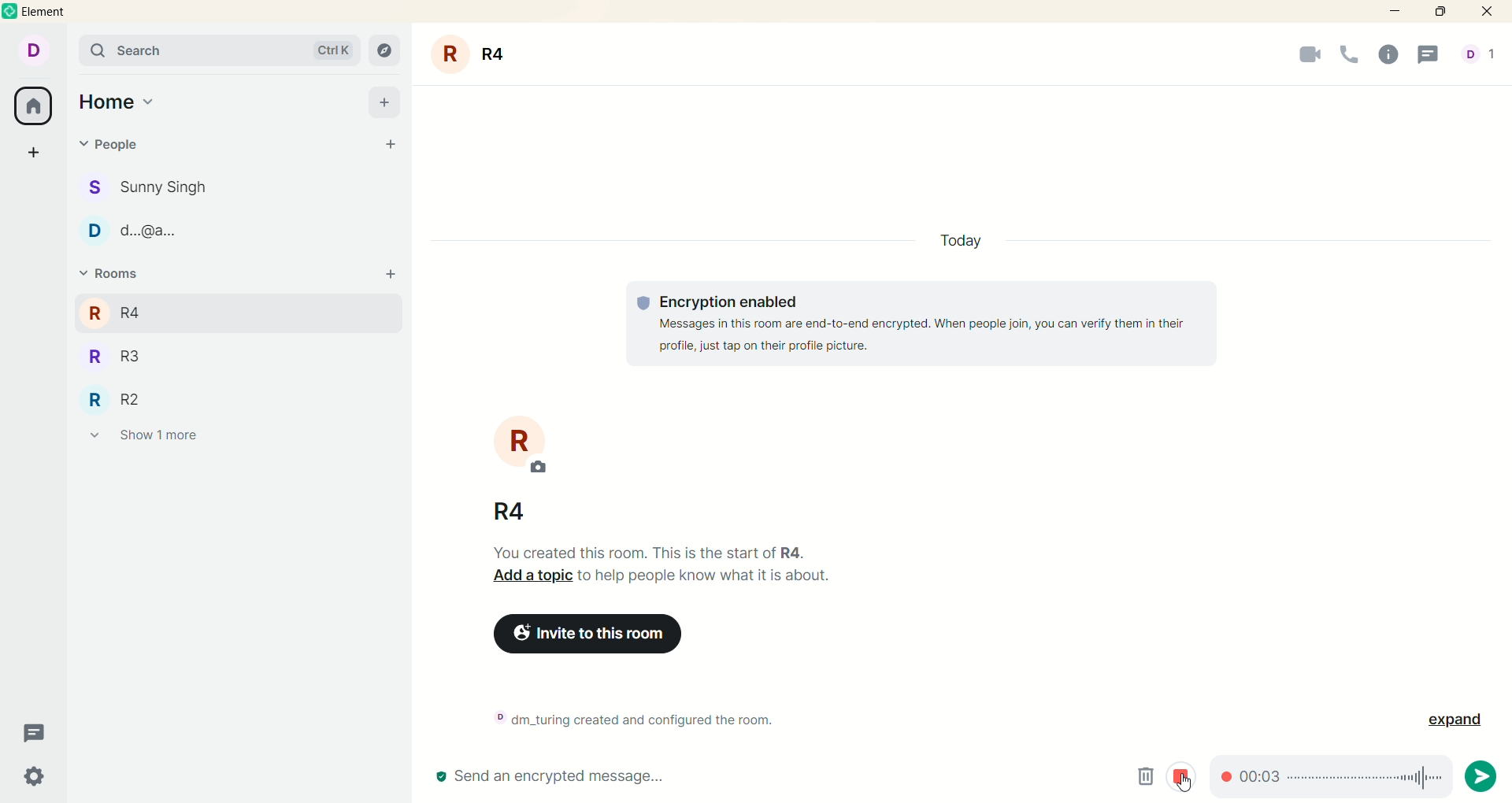 The image size is (1512, 803). Describe the element at coordinates (144, 439) in the screenshot. I see `show 1 more` at that location.